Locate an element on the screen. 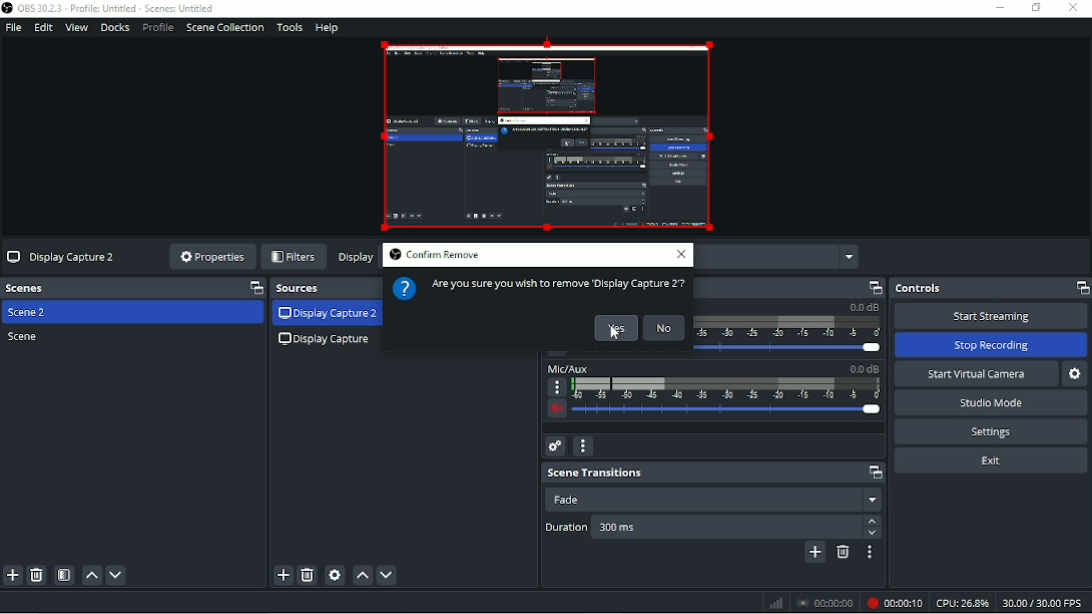 This screenshot has height=614, width=1092. Sources is located at coordinates (326, 288).